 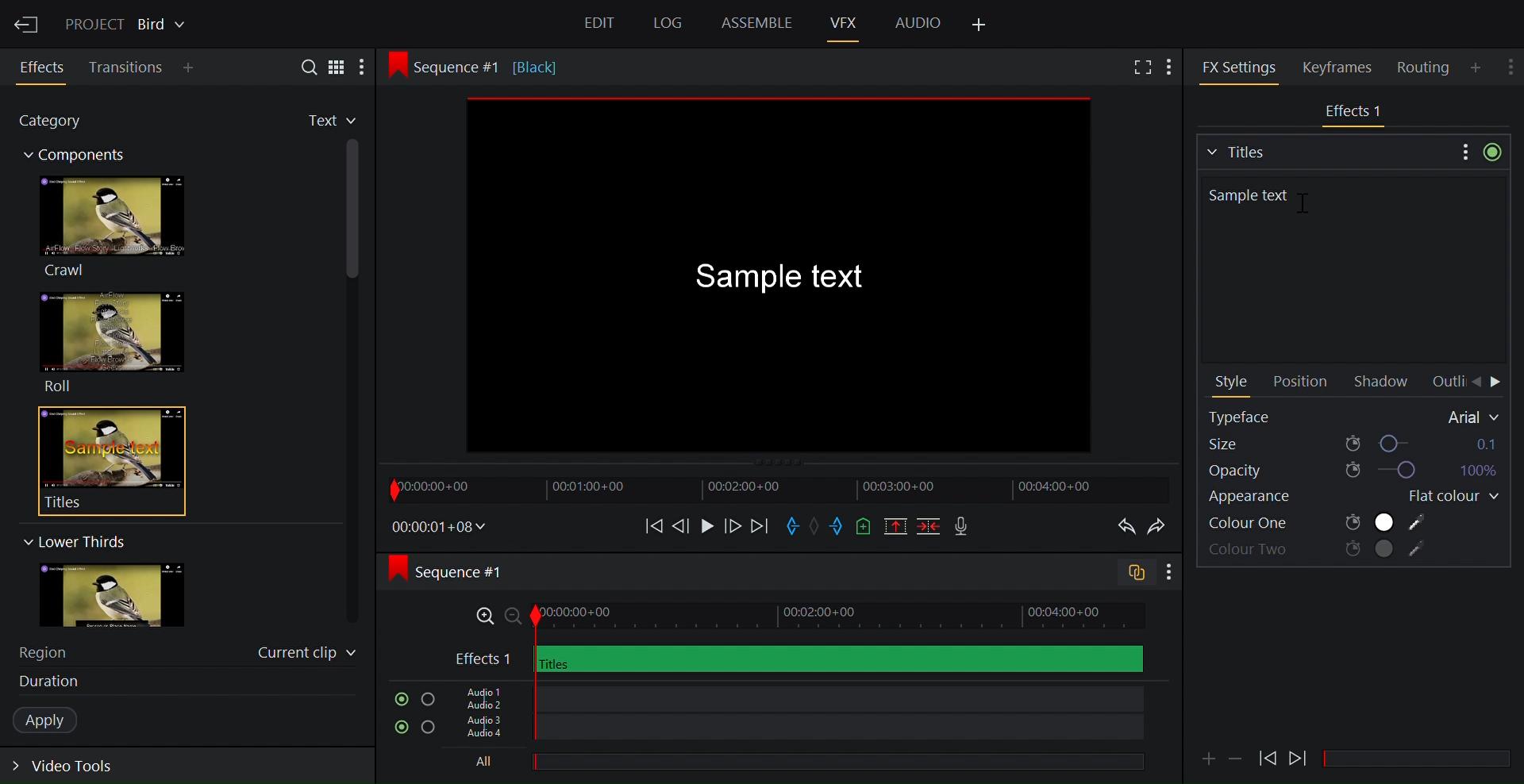 I want to click on Log, so click(x=665, y=24).